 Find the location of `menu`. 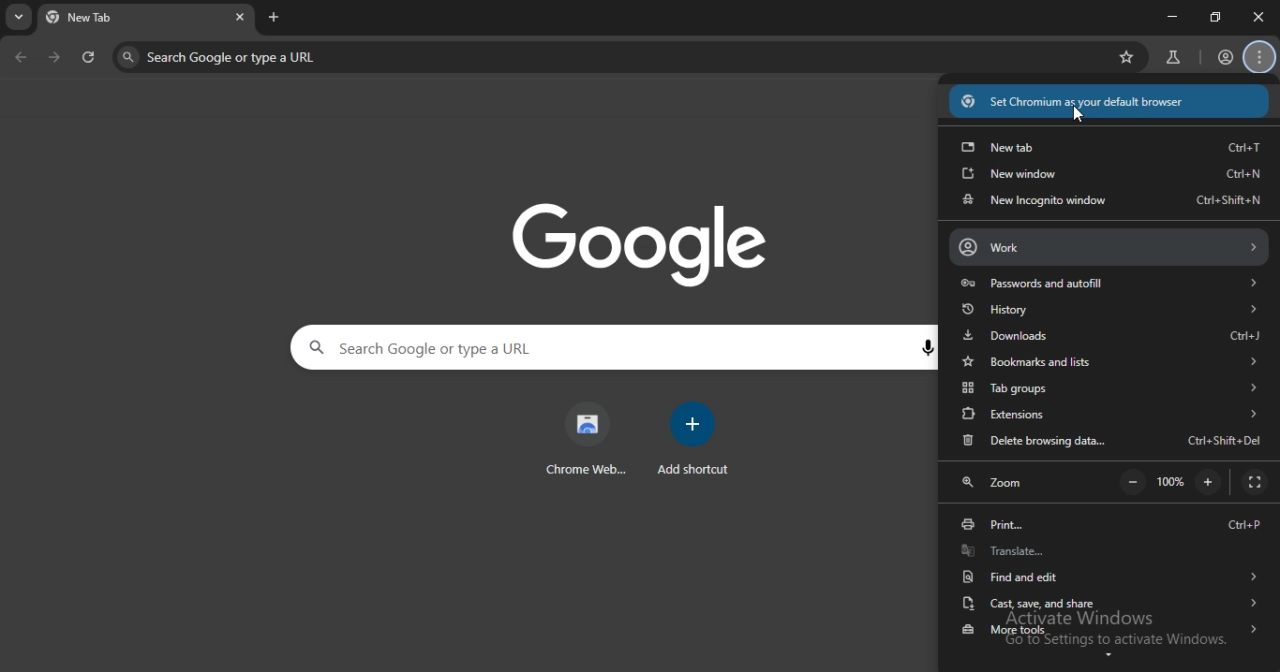

menu is located at coordinates (1260, 56).